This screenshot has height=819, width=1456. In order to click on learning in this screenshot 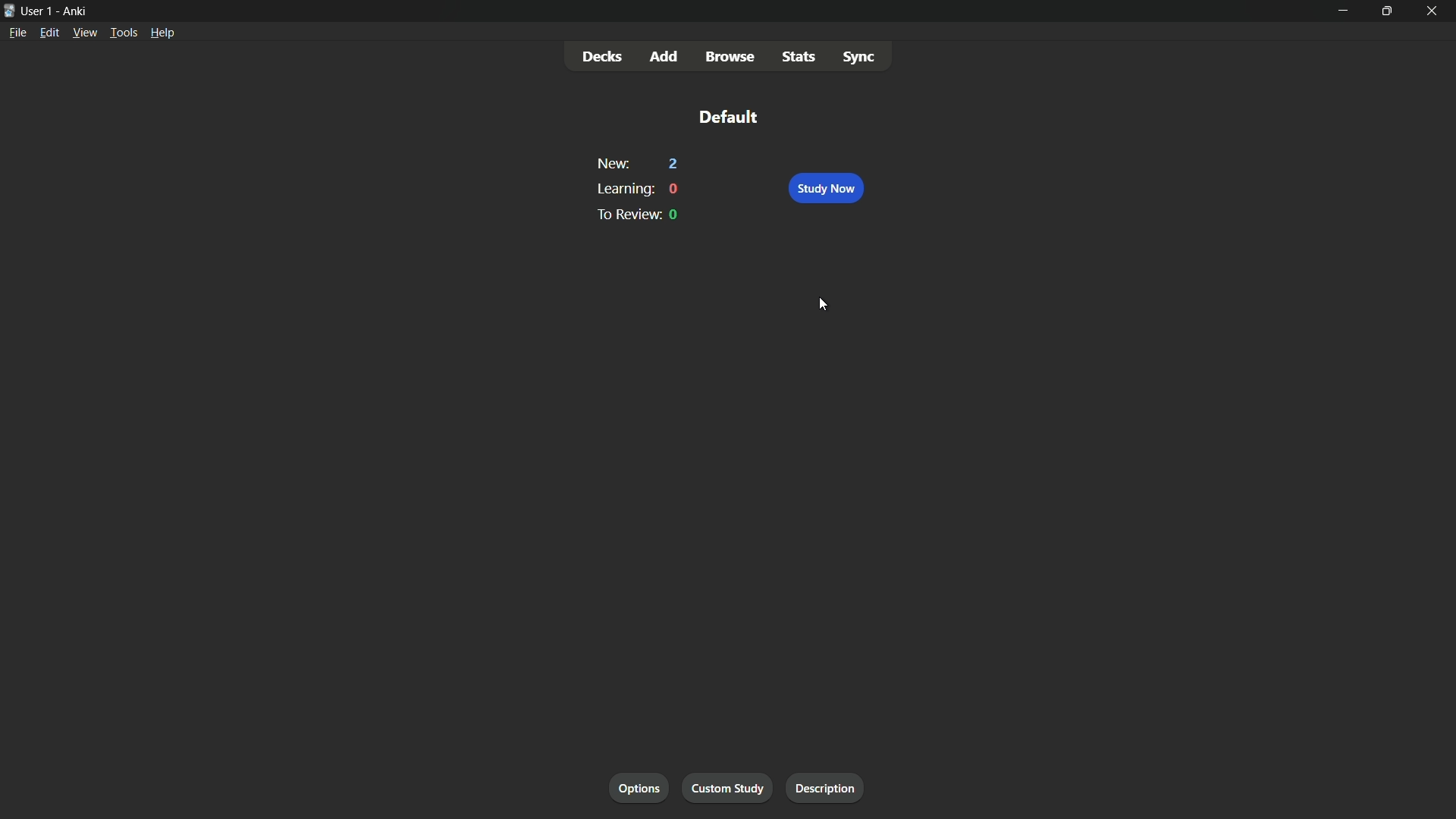, I will do `click(621, 189)`.